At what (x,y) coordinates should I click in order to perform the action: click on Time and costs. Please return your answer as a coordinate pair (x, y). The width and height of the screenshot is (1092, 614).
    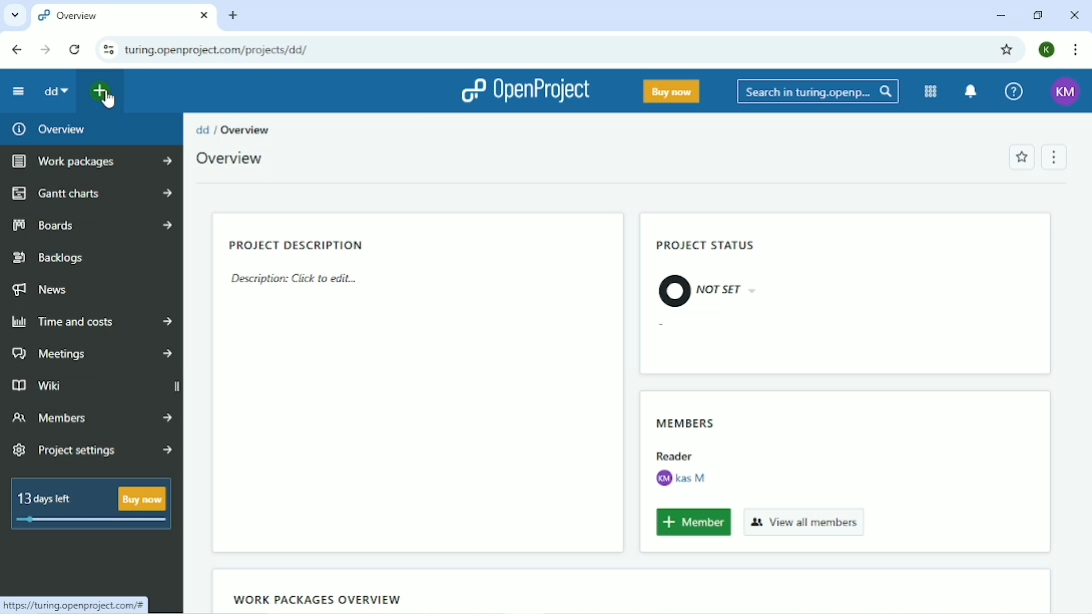
    Looking at the image, I should click on (92, 322).